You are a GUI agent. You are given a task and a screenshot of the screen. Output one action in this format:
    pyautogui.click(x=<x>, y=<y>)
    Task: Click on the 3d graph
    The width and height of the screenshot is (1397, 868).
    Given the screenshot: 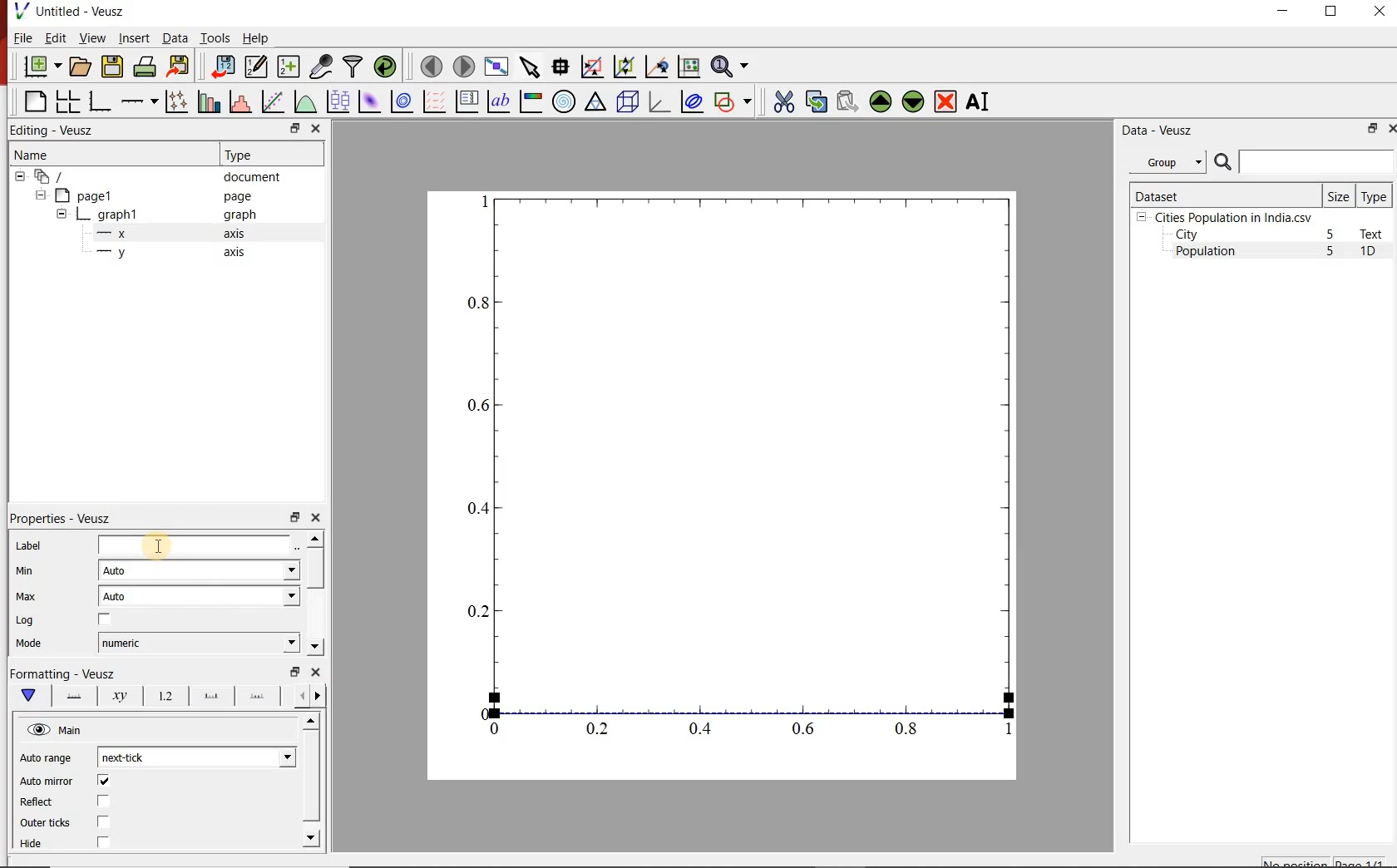 What is the action you would take?
    pyautogui.click(x=658, y=101)
    